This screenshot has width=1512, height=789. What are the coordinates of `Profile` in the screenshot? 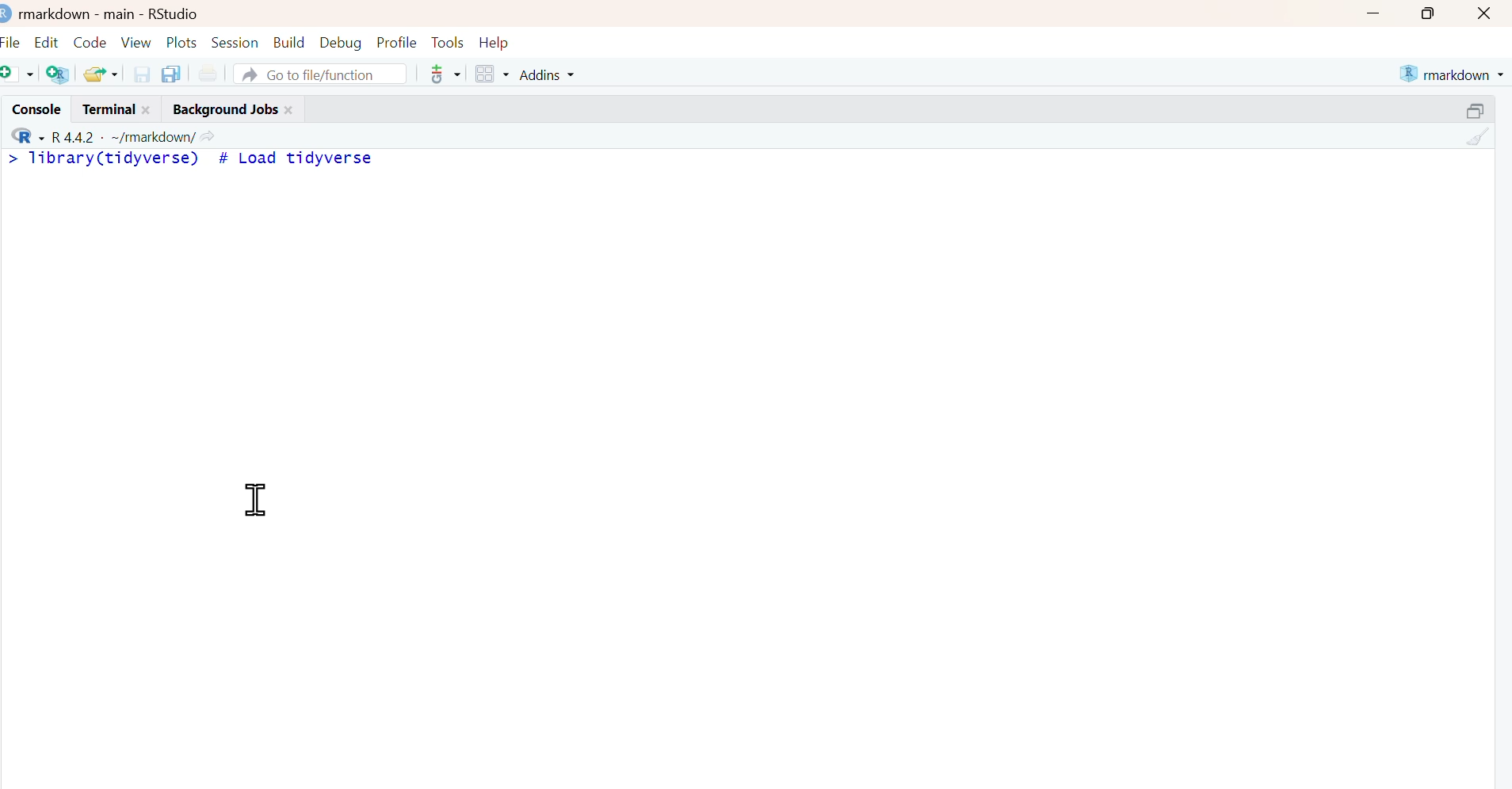 It's located at (396, 40).